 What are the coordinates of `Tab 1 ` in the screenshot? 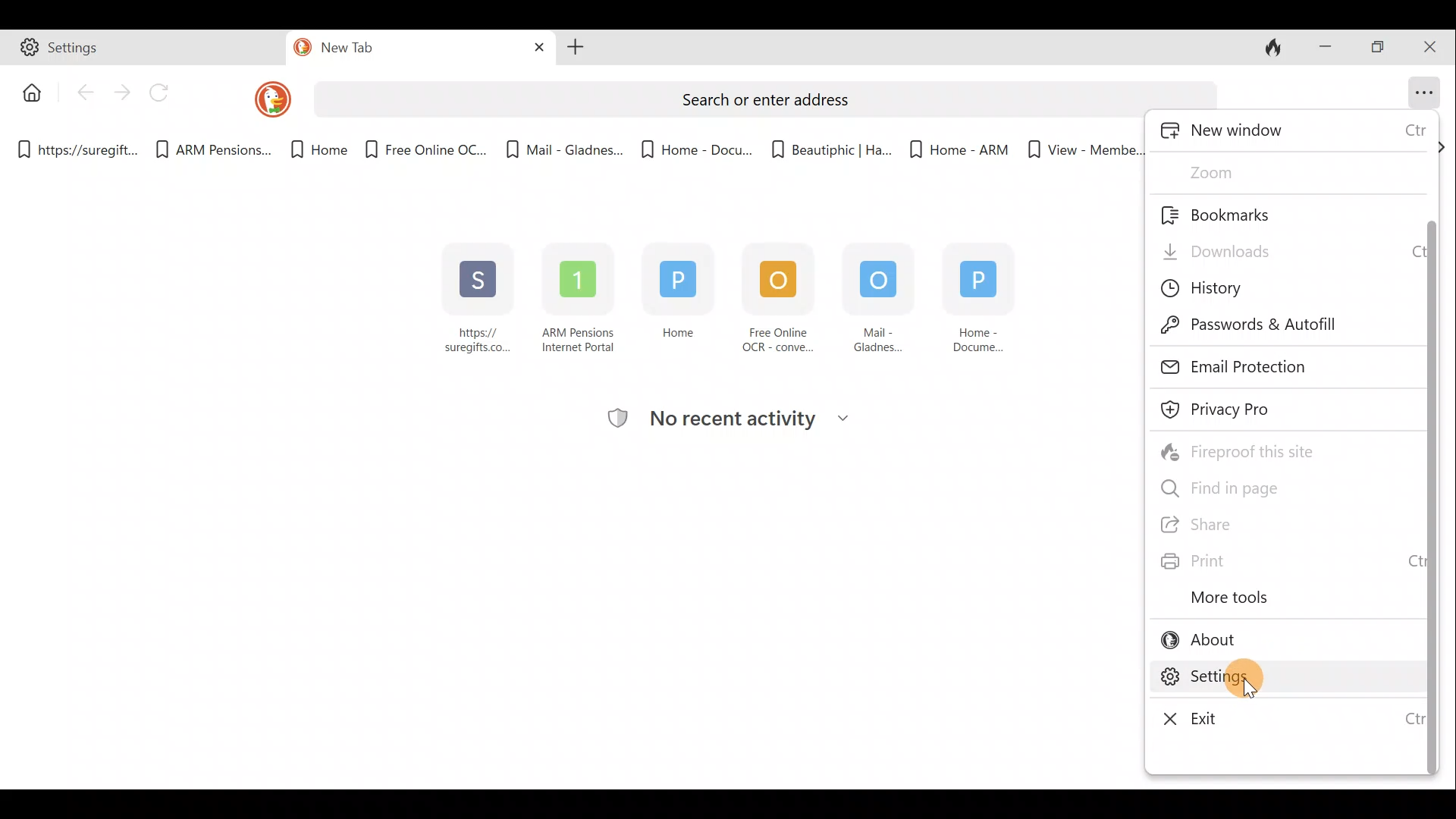 It's located at (143, 48).